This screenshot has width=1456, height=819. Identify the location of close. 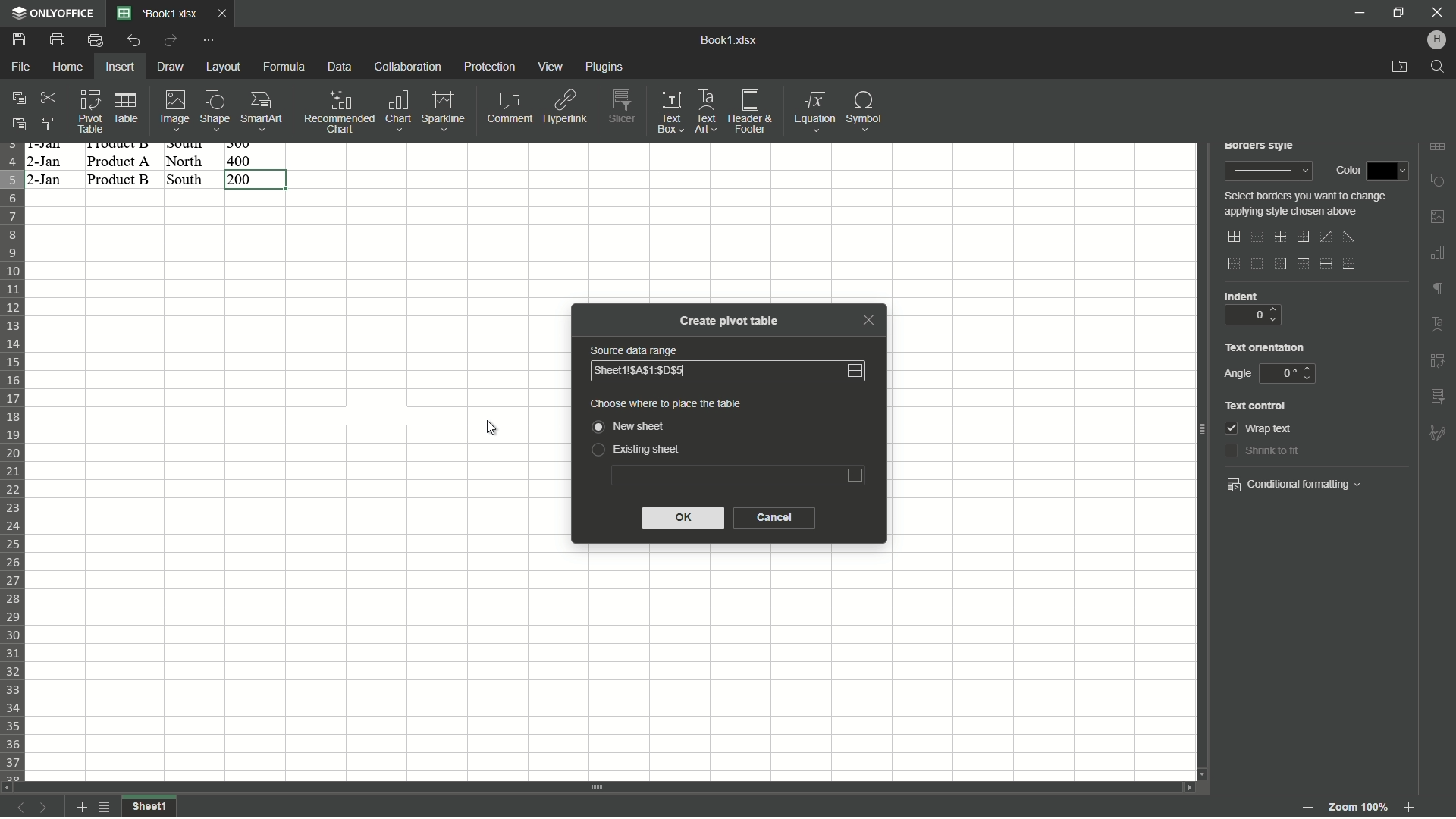
(869, 319).